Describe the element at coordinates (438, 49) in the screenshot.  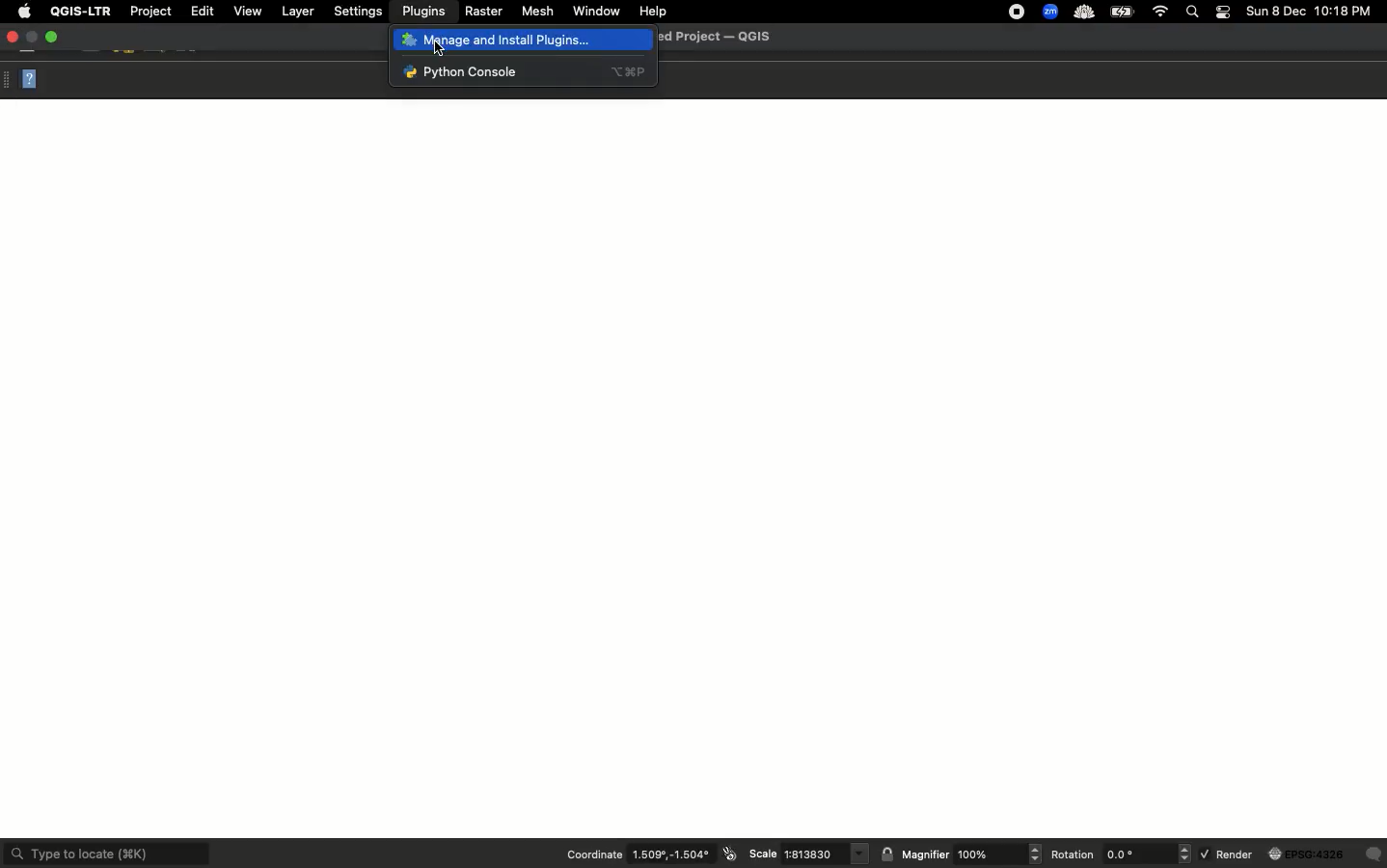
I see `cursor` at that location.